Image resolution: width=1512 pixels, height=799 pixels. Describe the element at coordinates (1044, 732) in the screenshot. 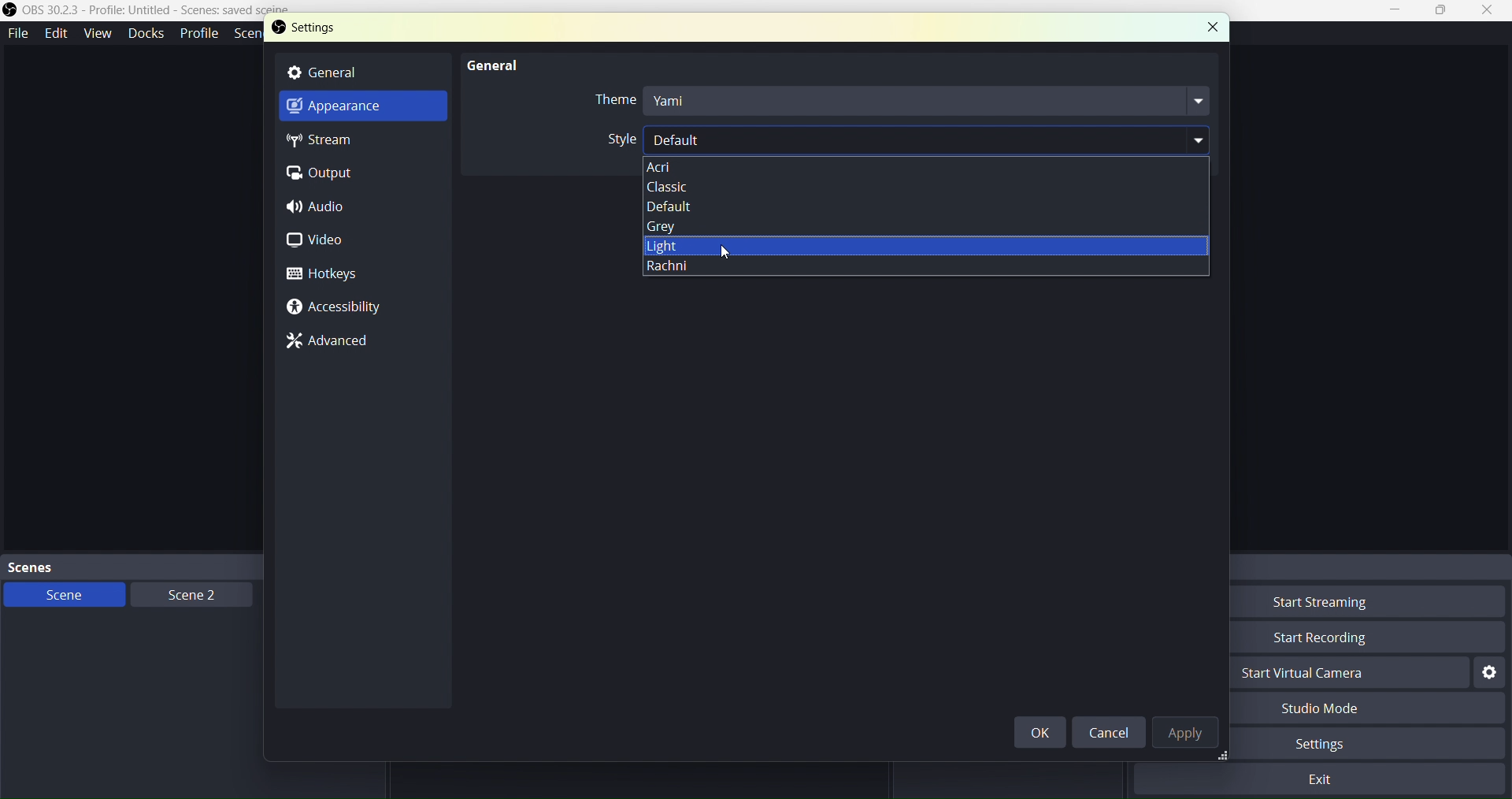

I see `ok` at that location.